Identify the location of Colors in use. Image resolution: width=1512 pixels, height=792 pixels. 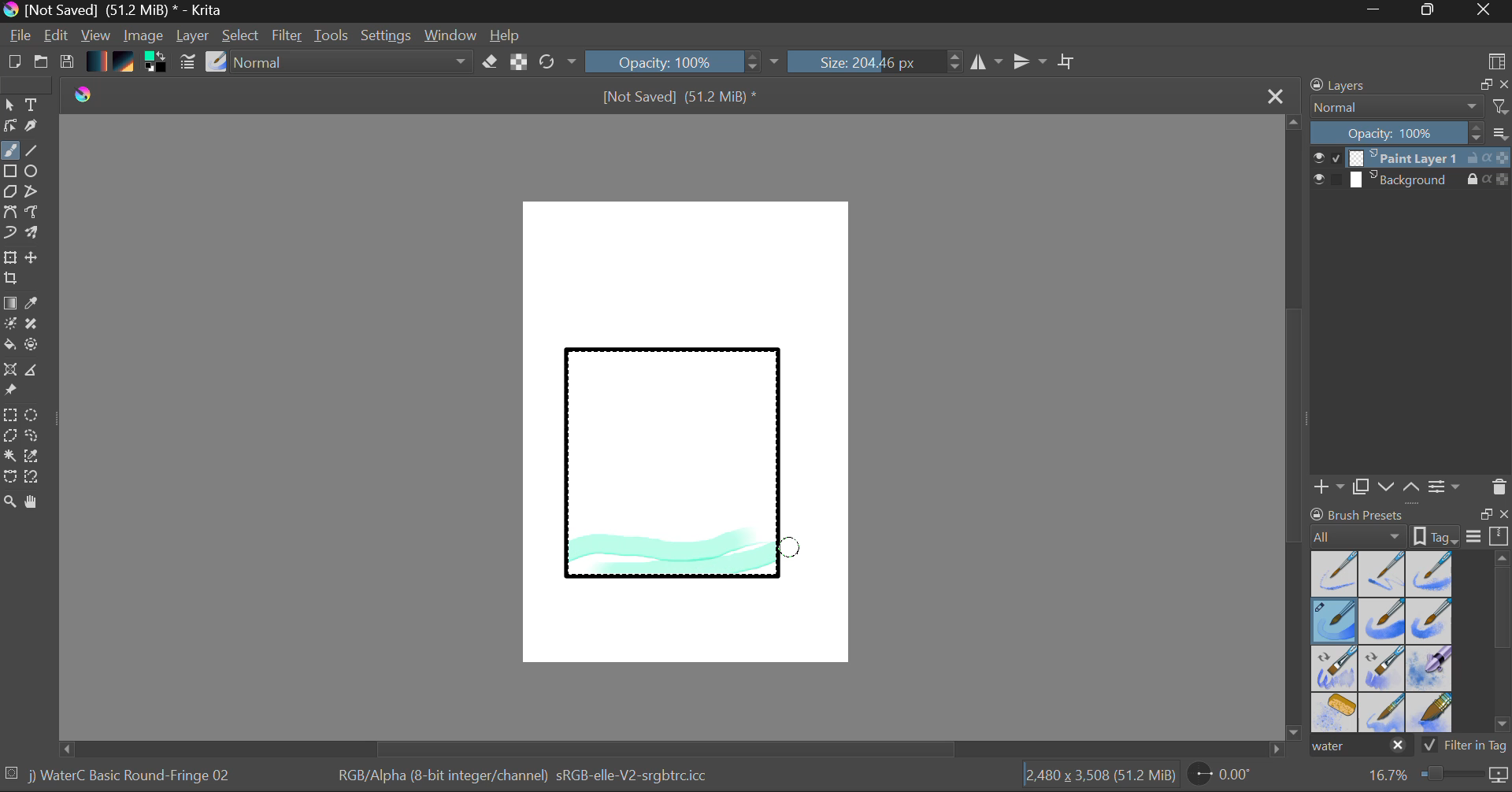
(157, 63).